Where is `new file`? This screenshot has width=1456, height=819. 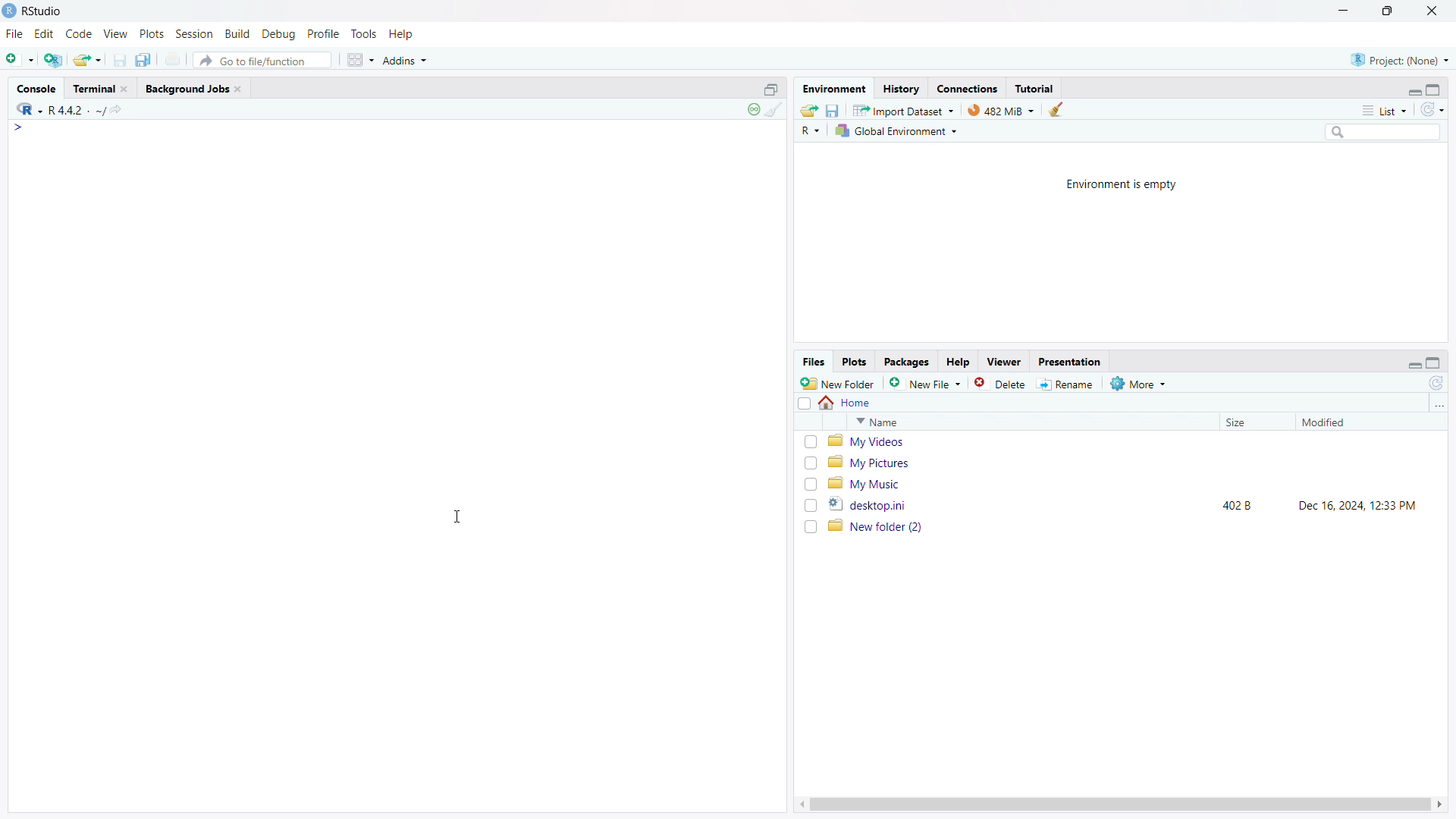 new file is located at coordinates (20, 57).